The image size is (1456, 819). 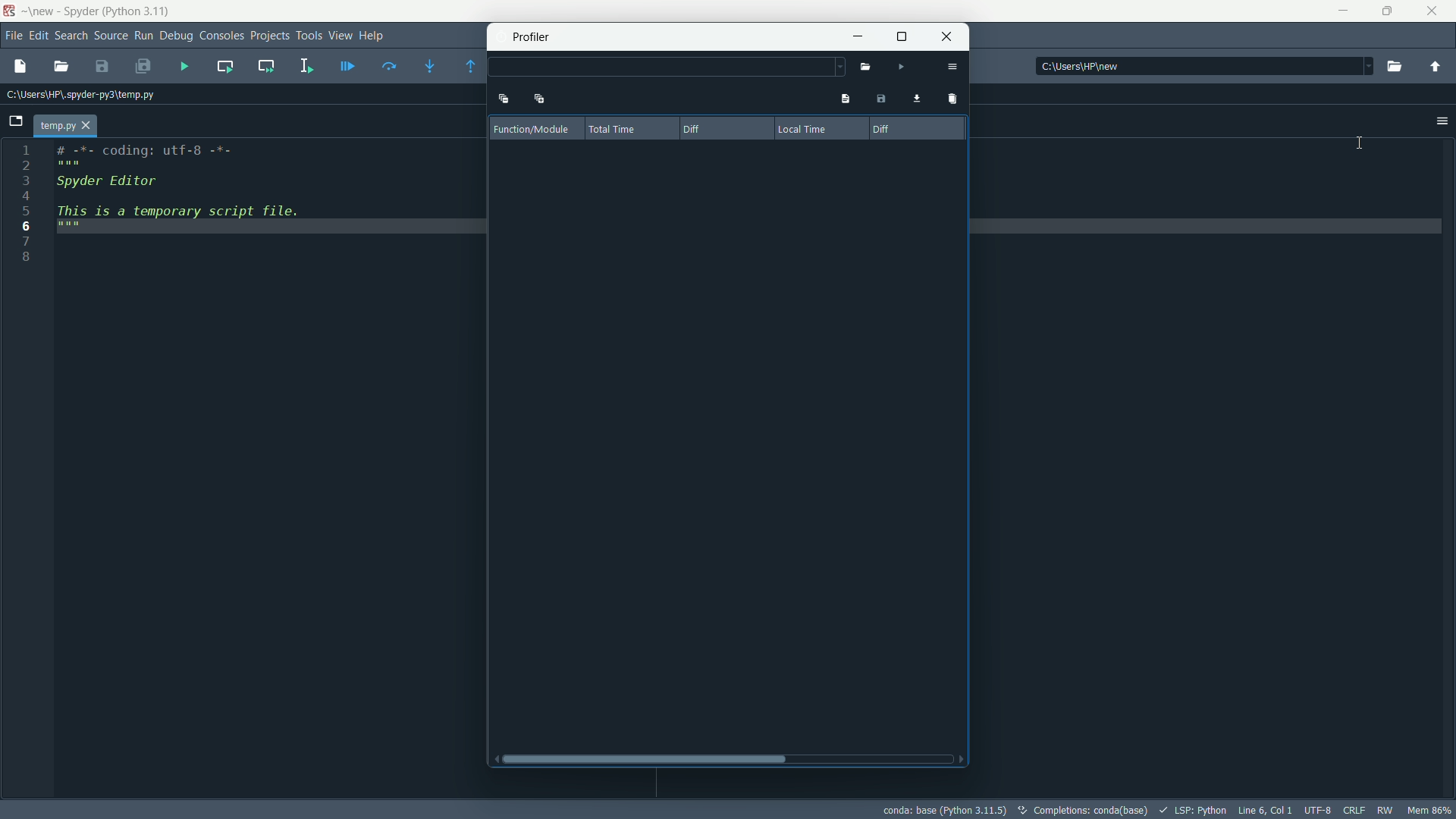 What do you see at coordinates (1358, 145) in the screenshot?
I see `cursor` at bounding box center [1358, 145].